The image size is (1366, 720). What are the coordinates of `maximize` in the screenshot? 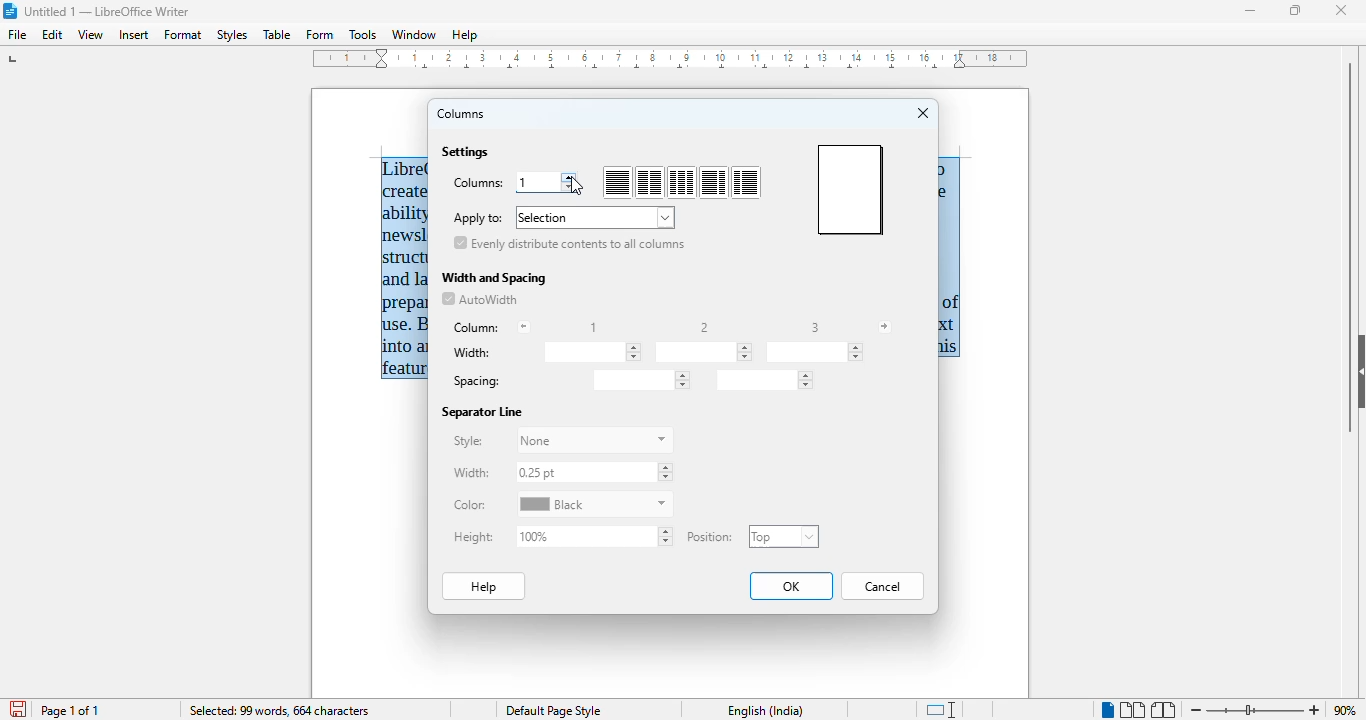 It's located at (1297, 10).